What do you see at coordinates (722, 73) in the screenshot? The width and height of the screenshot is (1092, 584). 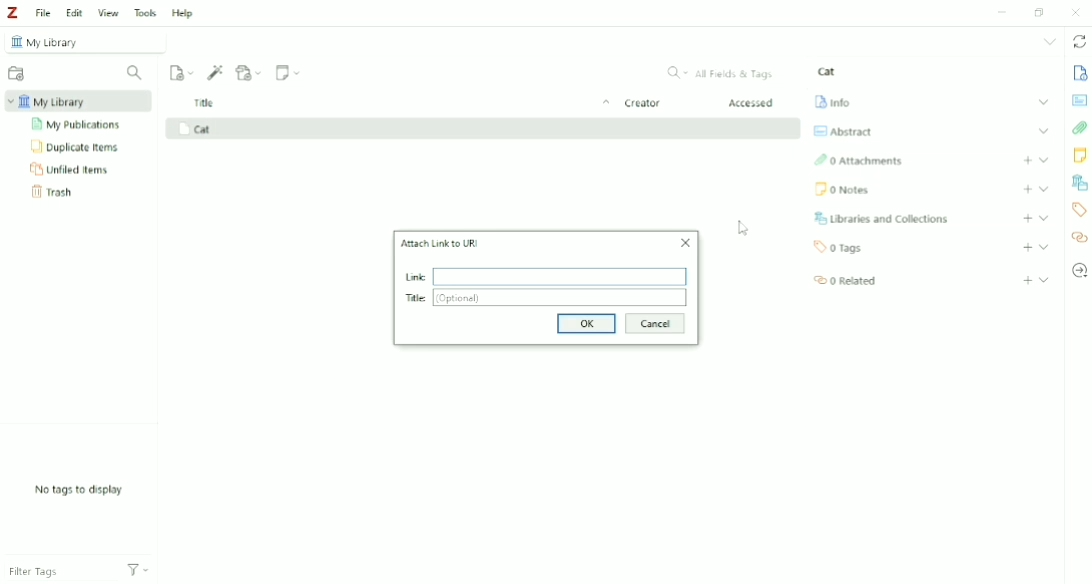 I see `All Fields & Tags` at bounding box center [722, 73].